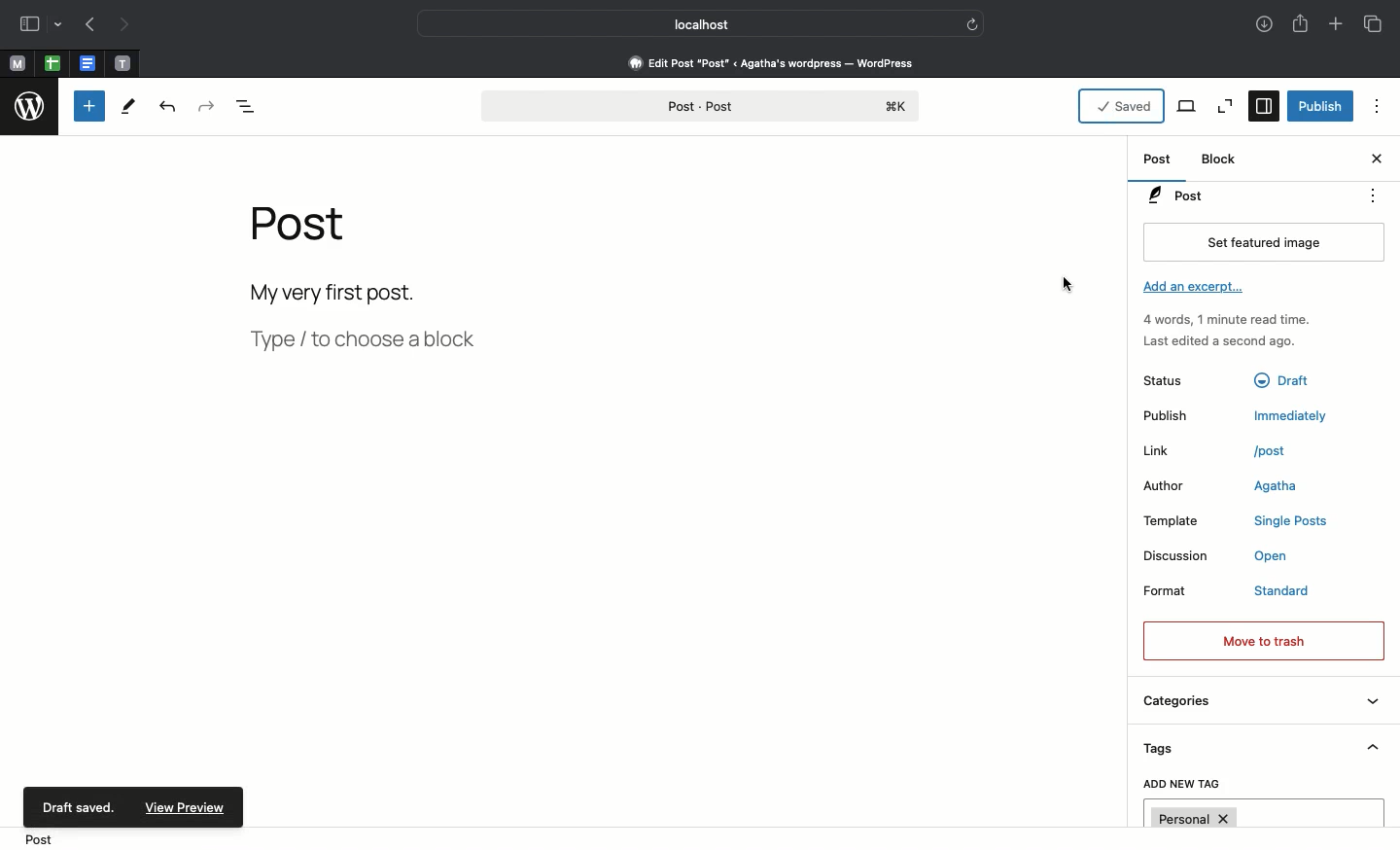  What do you see at coordinates (359, 340) in the screenshot?
I see `Block` at bounding box center [359, 340].